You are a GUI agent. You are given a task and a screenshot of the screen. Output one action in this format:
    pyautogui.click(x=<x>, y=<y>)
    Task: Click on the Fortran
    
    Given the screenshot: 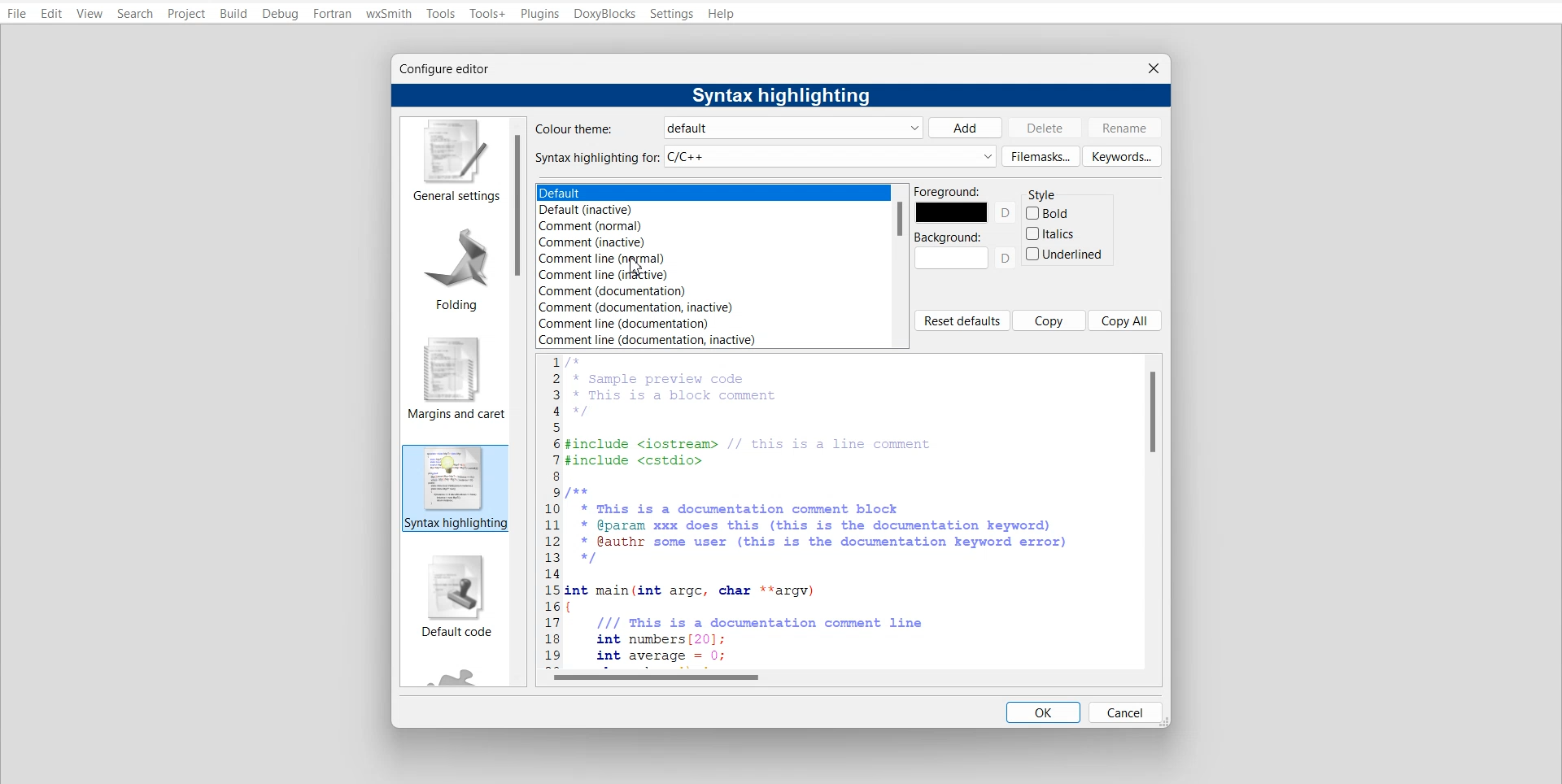 What is the action you would take?
    pyautogui.click(x=331, y=14)
    